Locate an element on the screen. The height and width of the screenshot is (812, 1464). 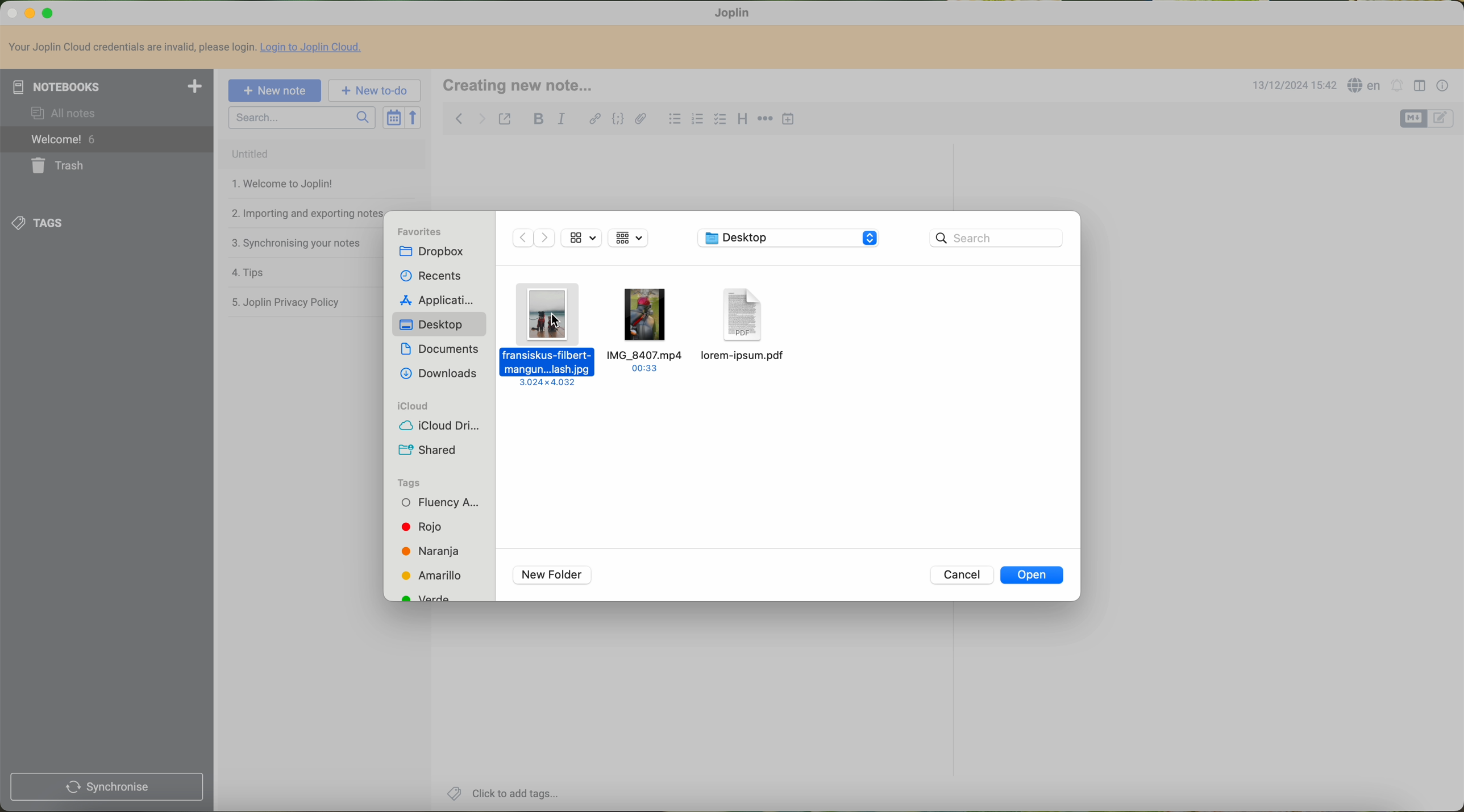
reverse sort order is located at coordinates (414, 118).